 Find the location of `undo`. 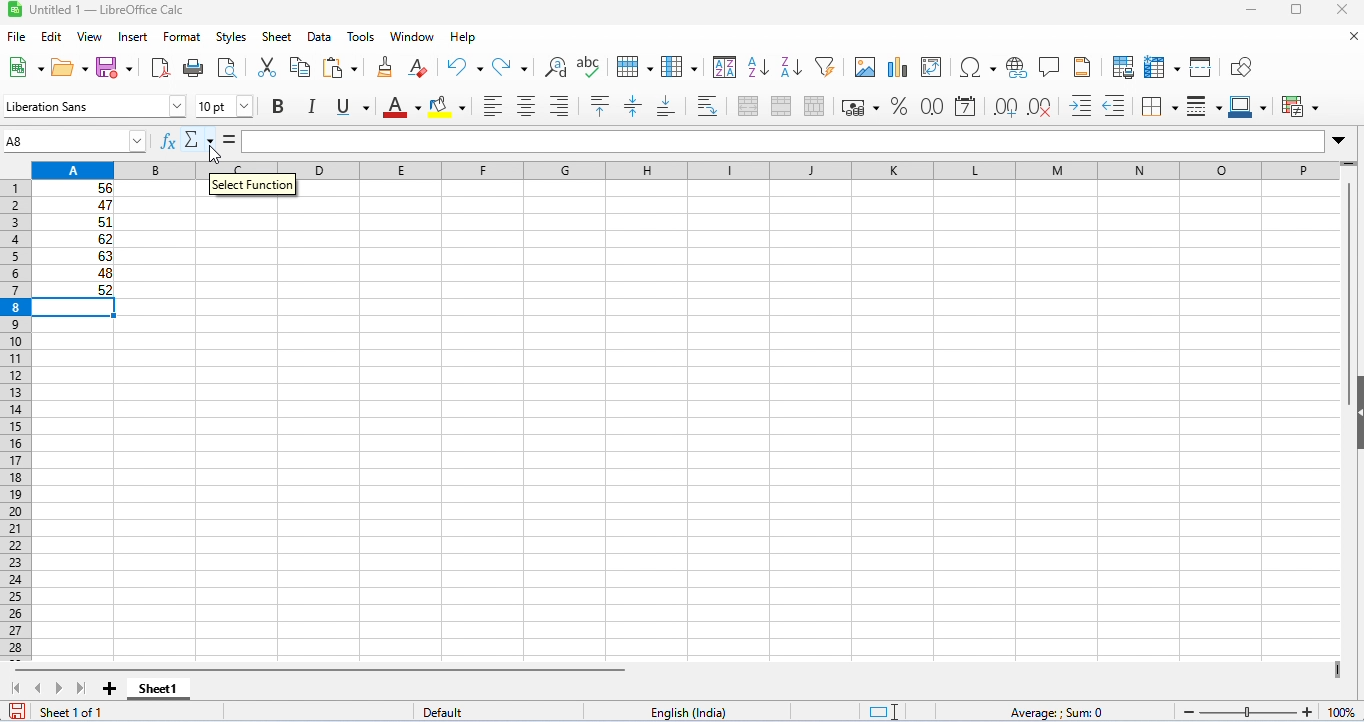

undo is located at coordinates (465, 67).